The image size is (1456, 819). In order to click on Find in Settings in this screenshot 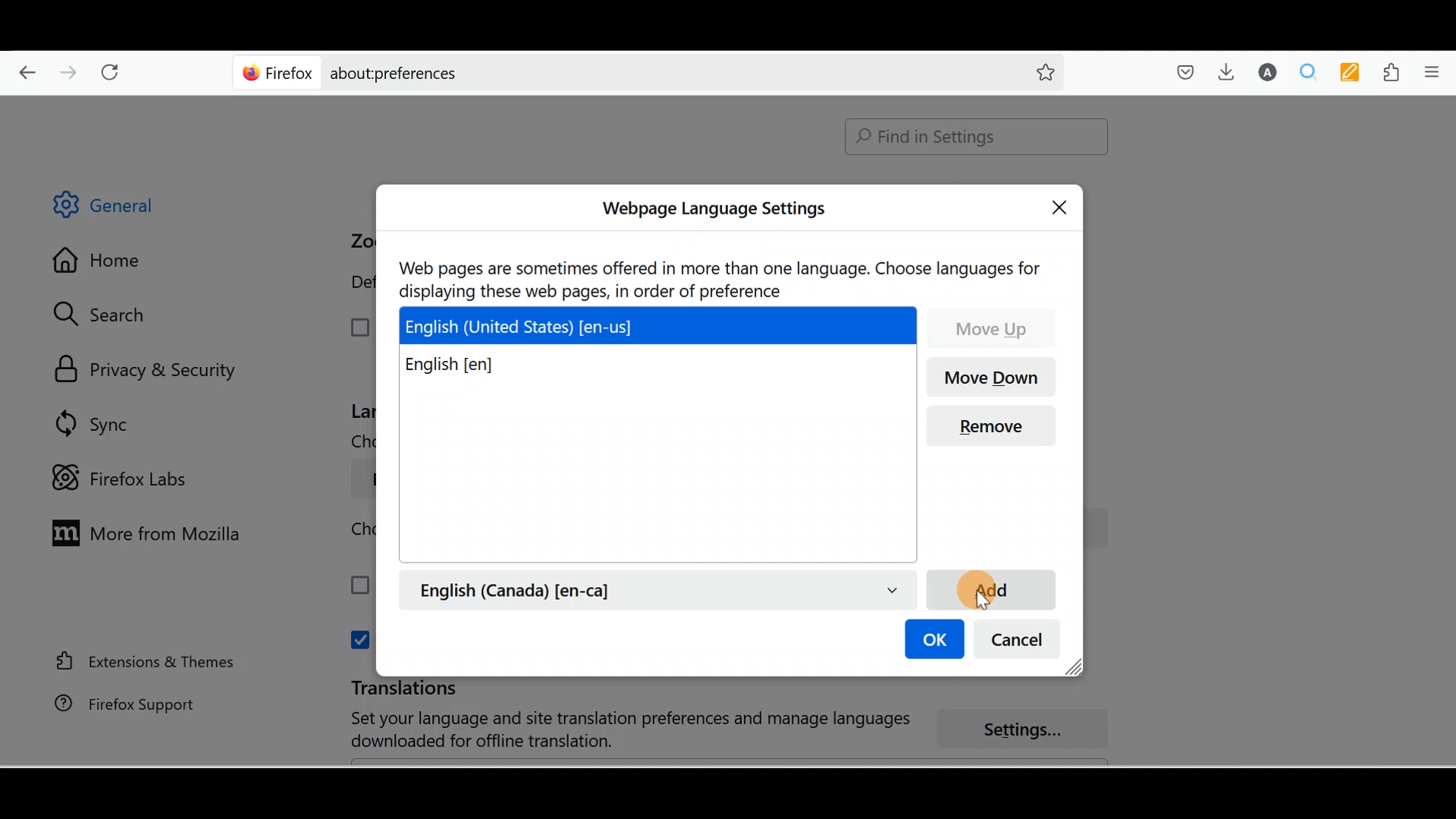, I will do `click(977, 136)`.